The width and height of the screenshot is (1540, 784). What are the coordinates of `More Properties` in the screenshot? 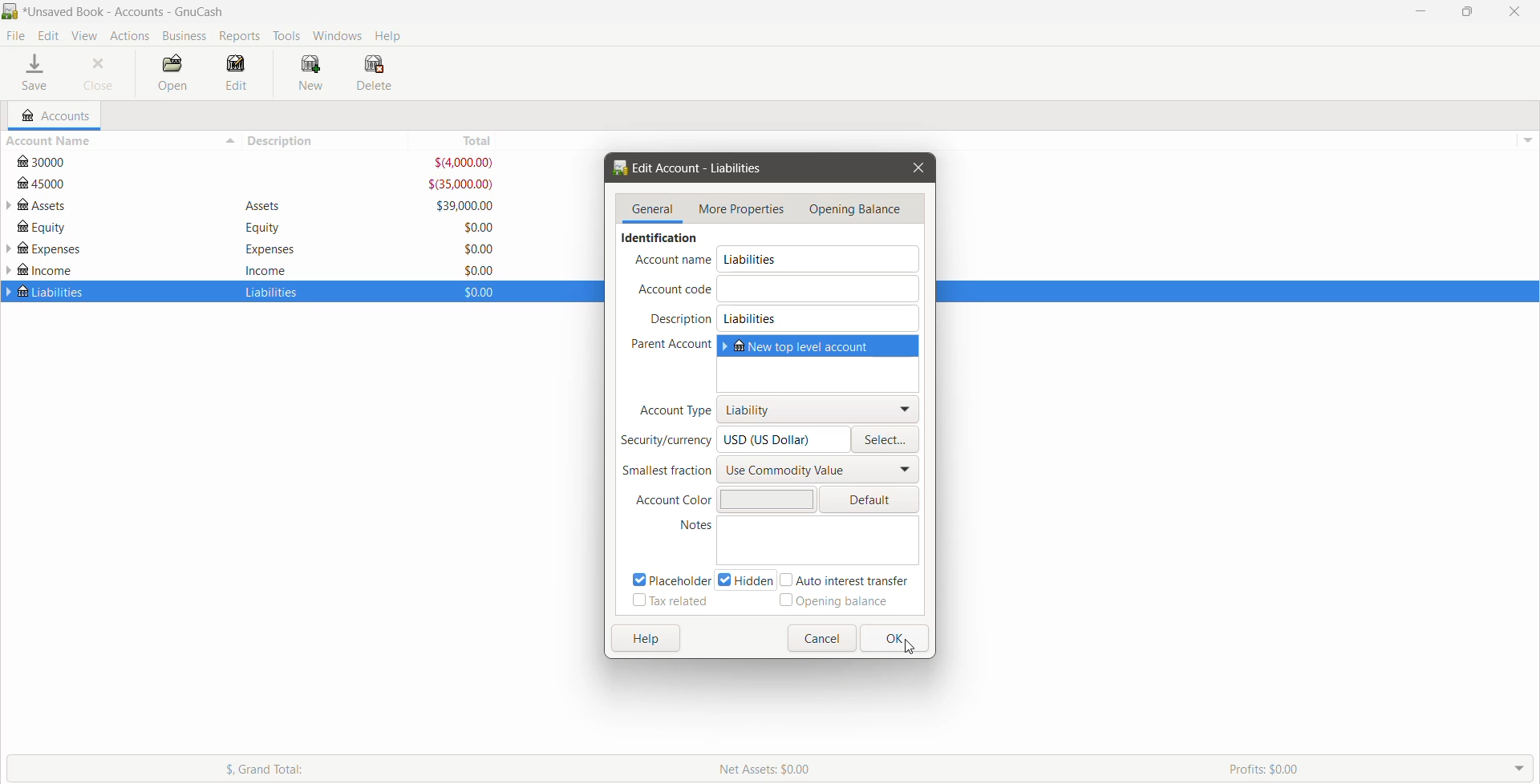 It's located at (742, 210).